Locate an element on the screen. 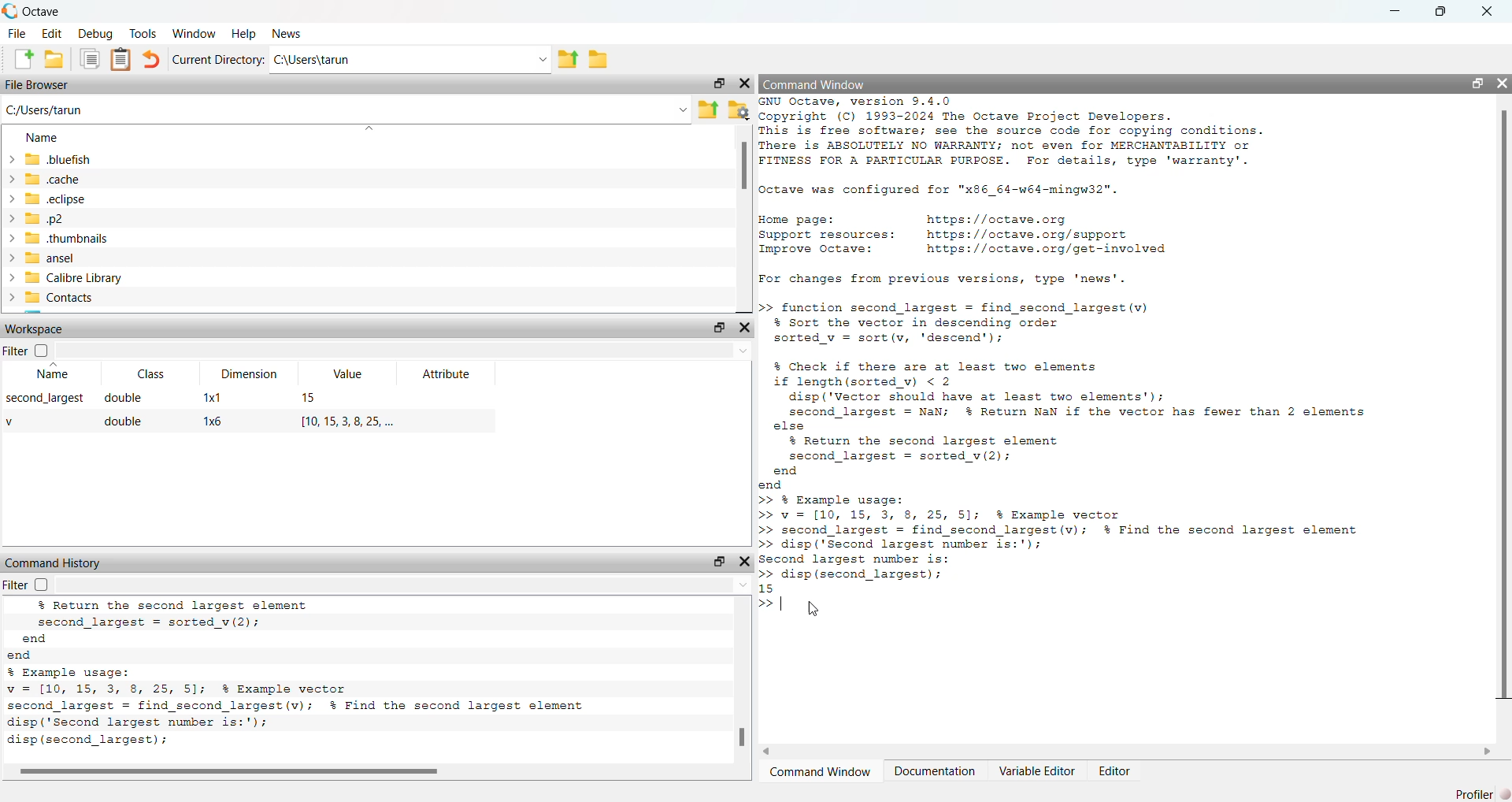  enter directory name is located at coordinates (413, 60).